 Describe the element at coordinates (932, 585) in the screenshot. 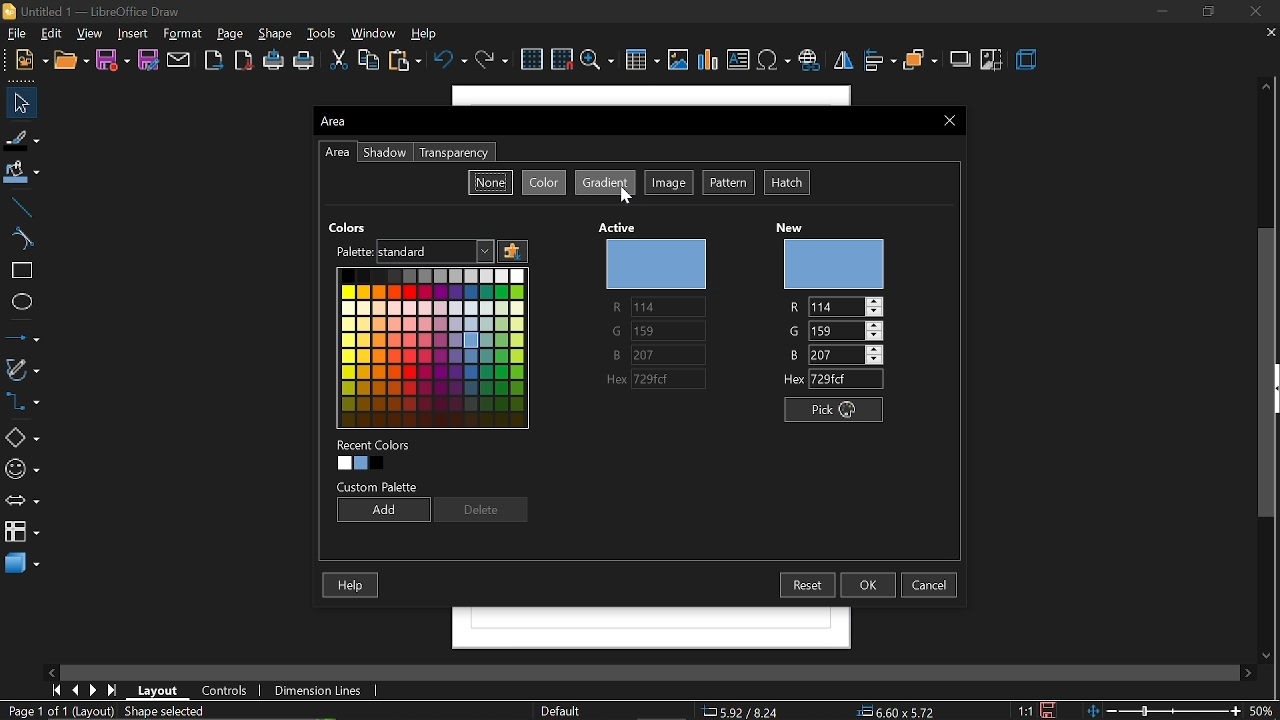

I see `cancel` at that location.